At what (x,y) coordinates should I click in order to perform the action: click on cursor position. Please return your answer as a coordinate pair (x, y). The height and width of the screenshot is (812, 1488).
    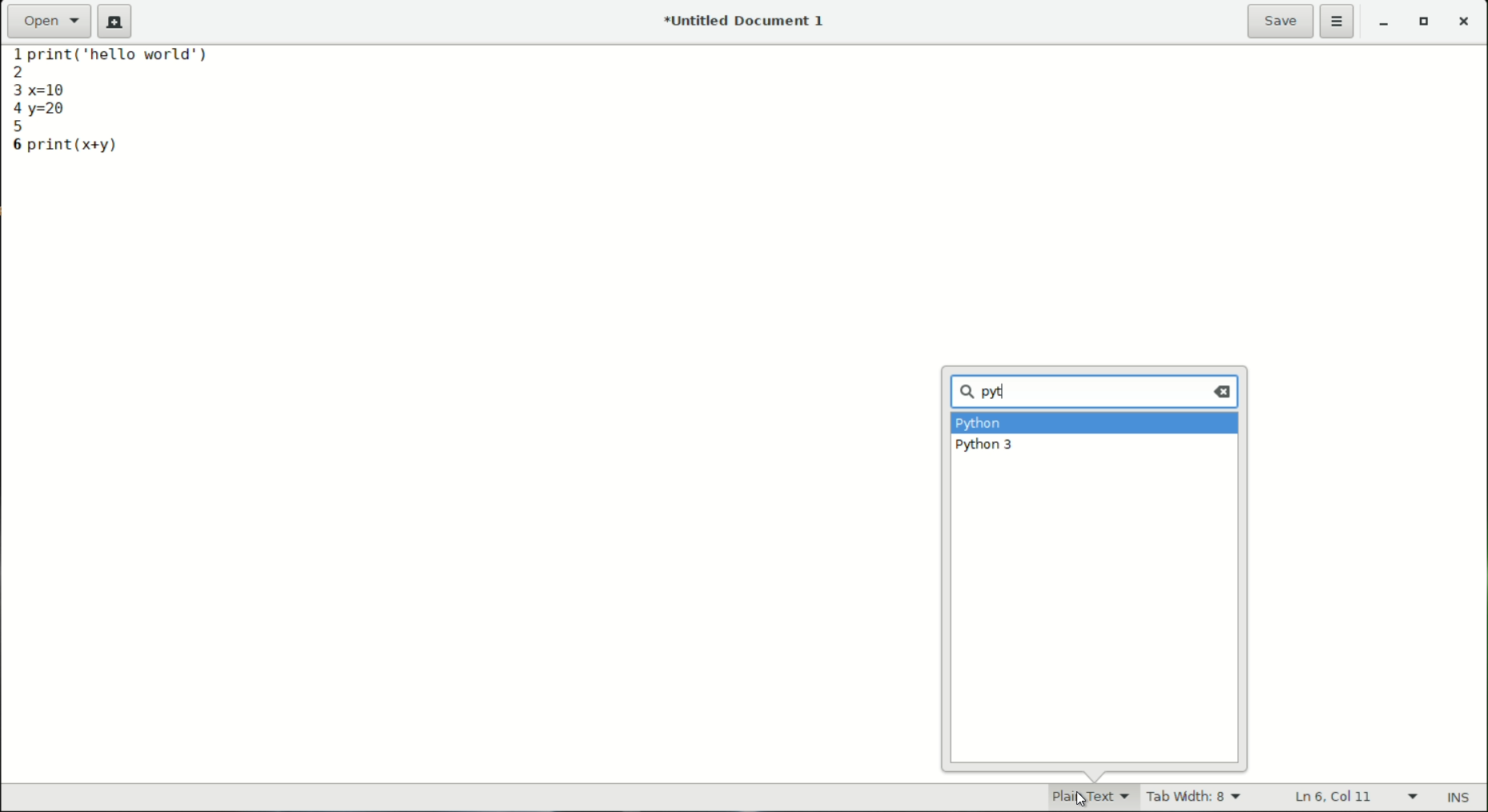
    Looking at the image, I should click on (1336, 798).